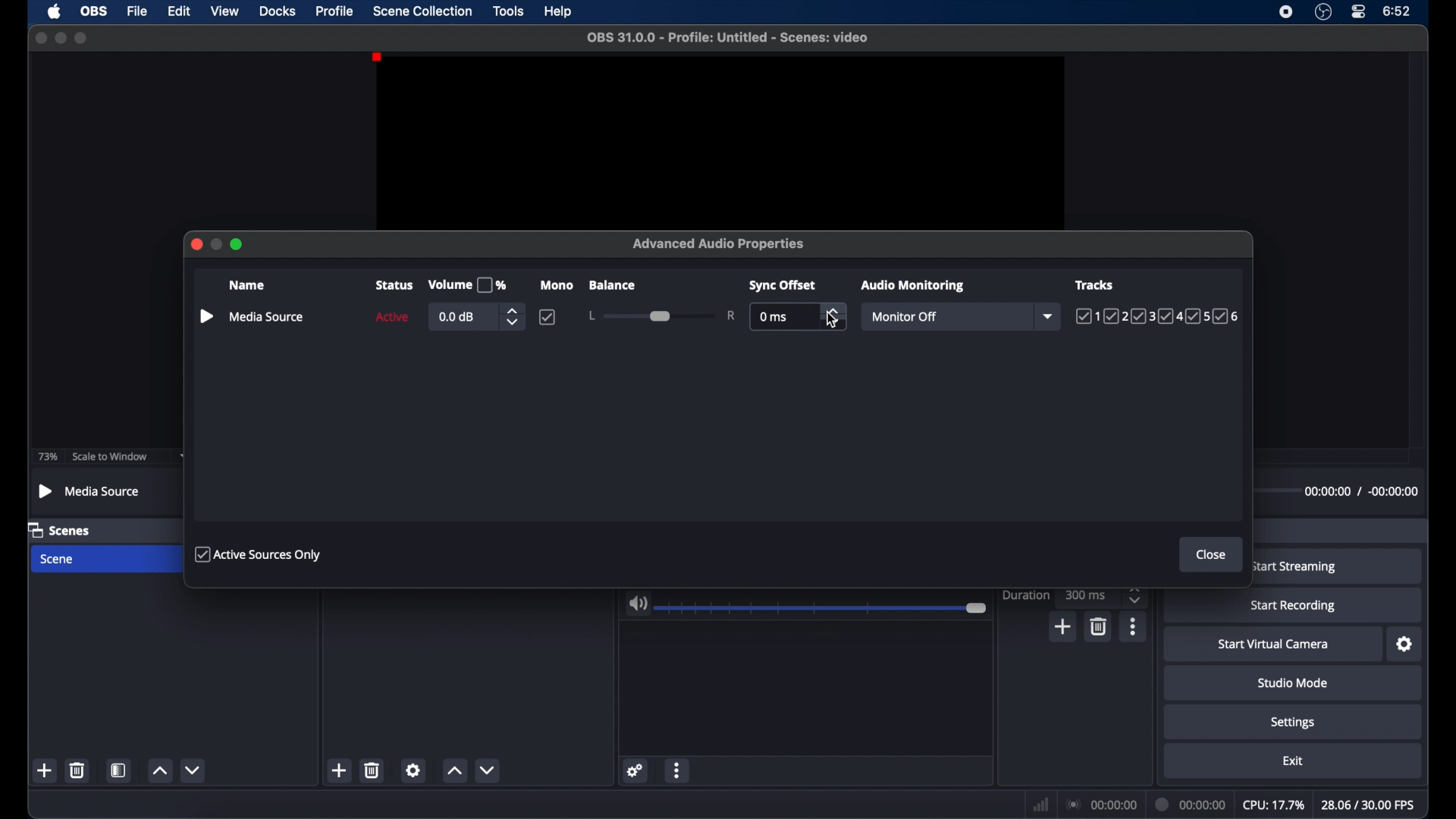  What do you see at coordinates (1211, 555) in the screenshot?
I see `close` at bounding box center [1211, 555].